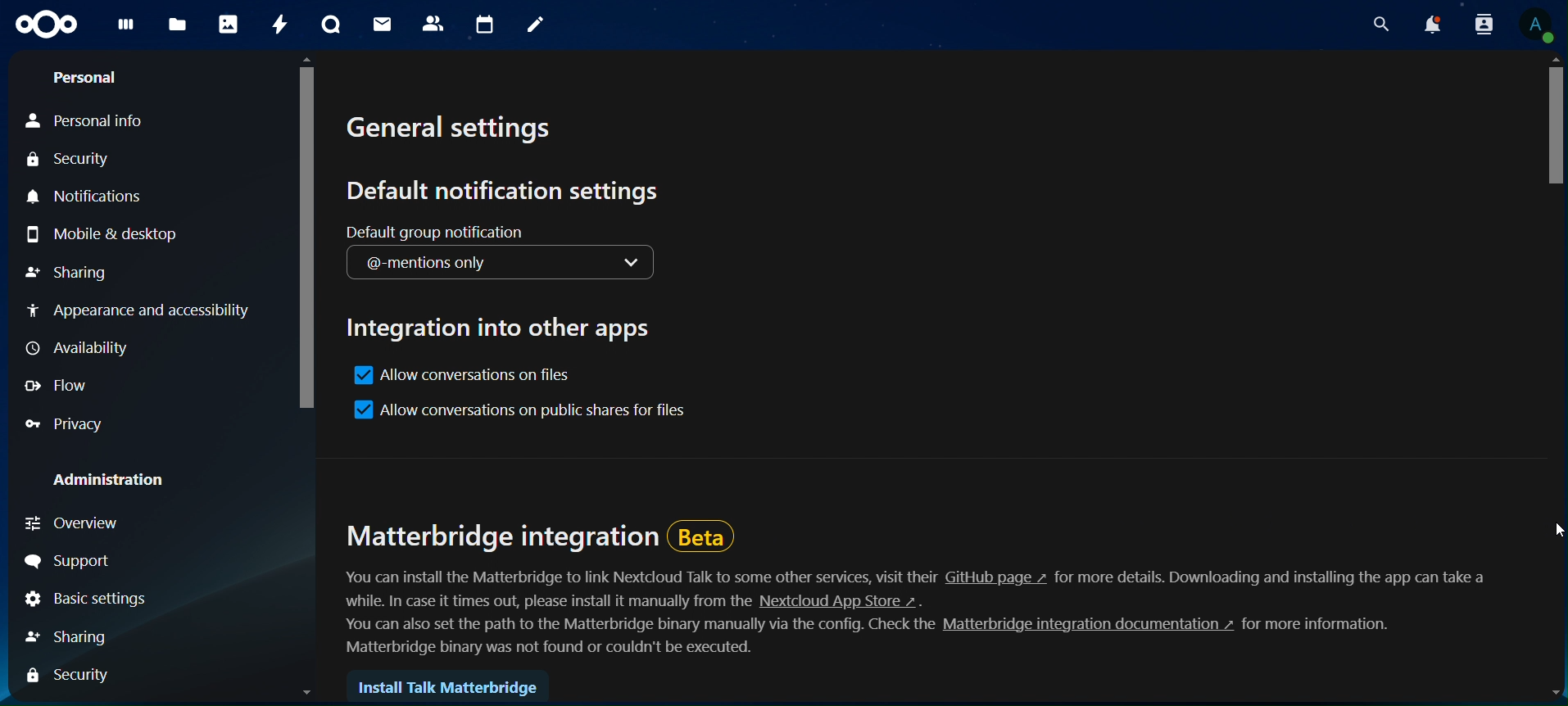 This screenshot has width=1568, height=706. What do you see at coordinates (459, 132) in the screenshot?
I see `general settings` at bounding box center [459, 132].